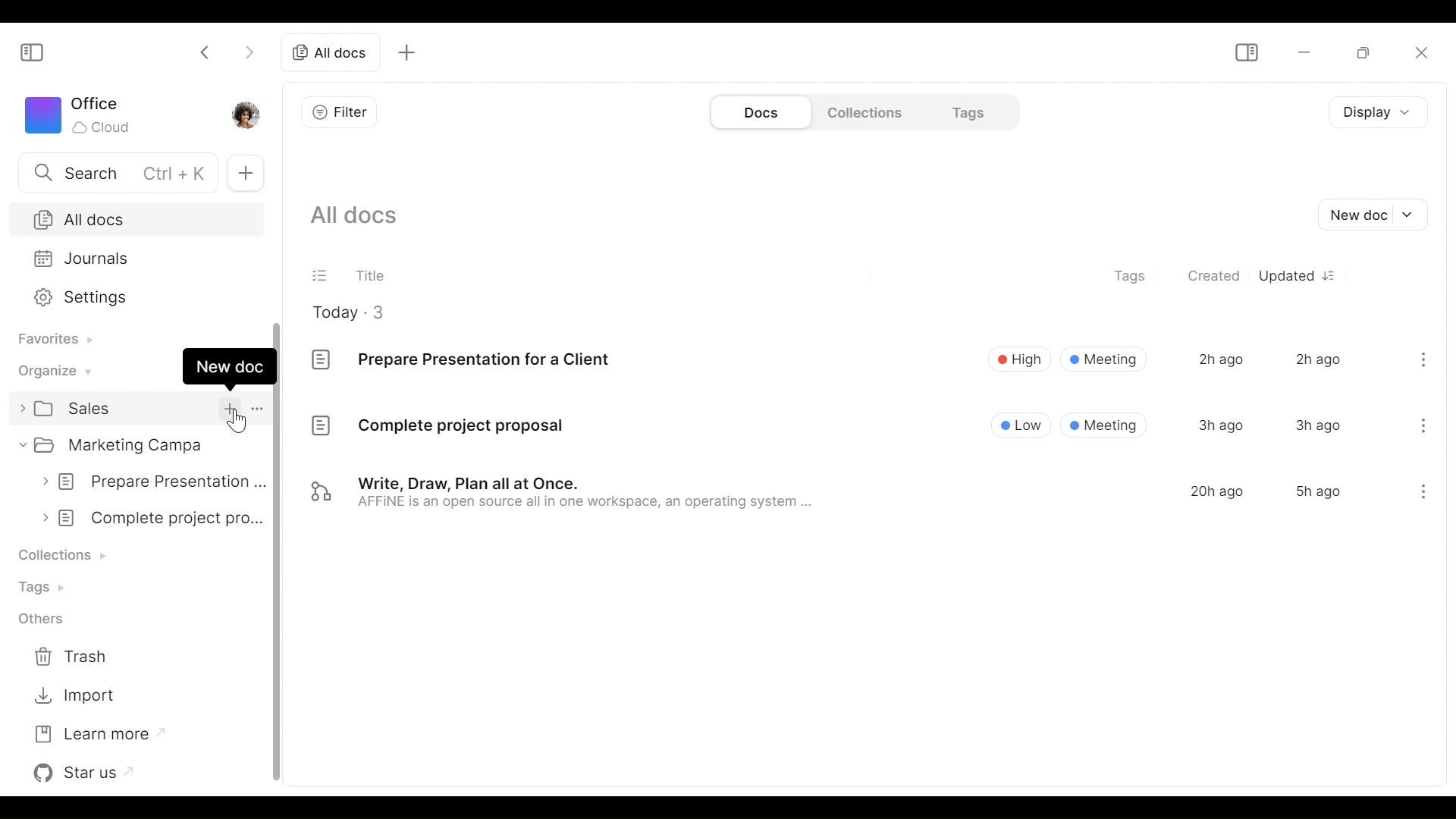 This screenshot has width=1456, height=819. Describe the element at coordinates (258, 408) in the screenshot. I see `More options` at that location.